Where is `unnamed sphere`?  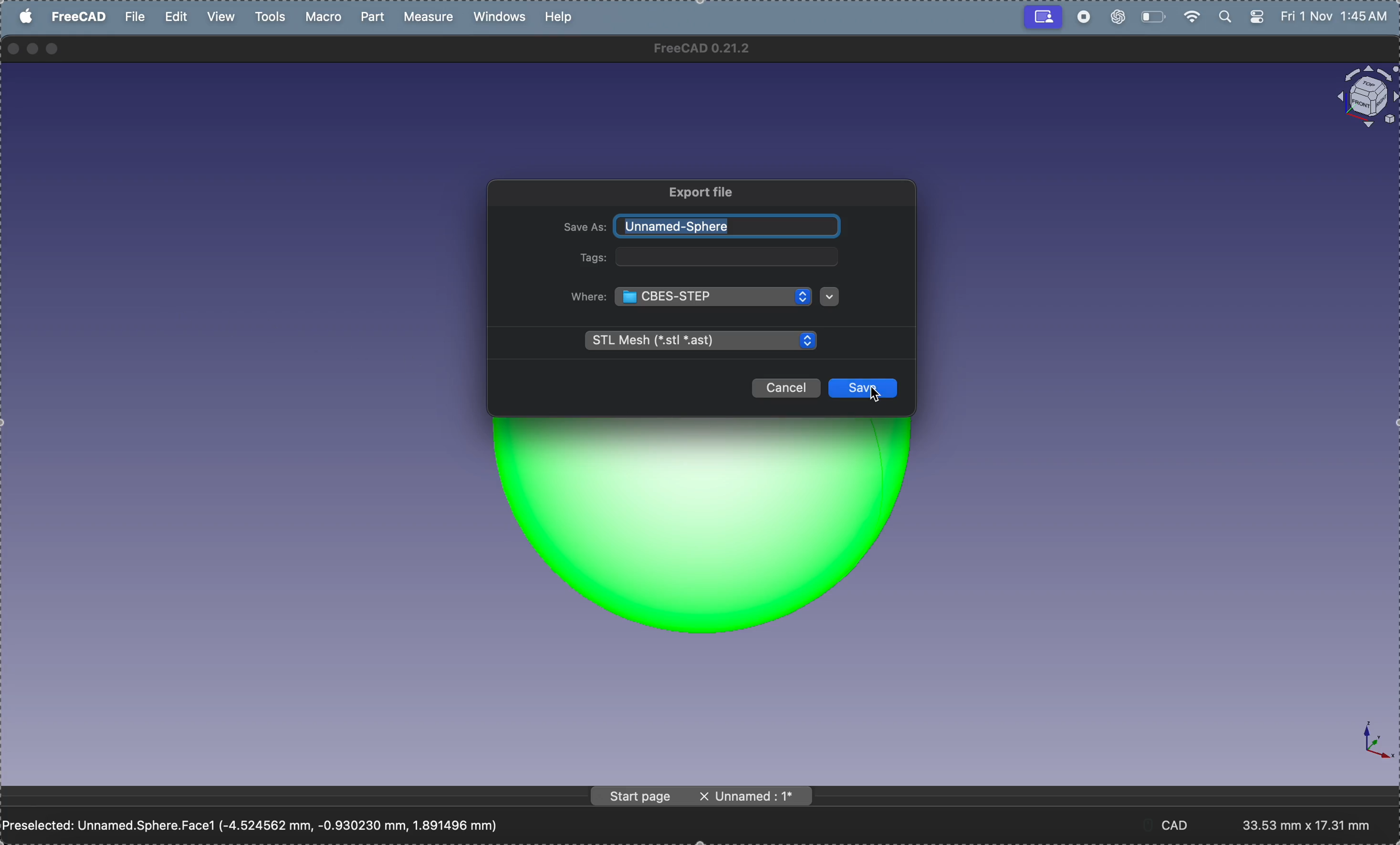
unnamed sphere is located at coordinates (730, 227).